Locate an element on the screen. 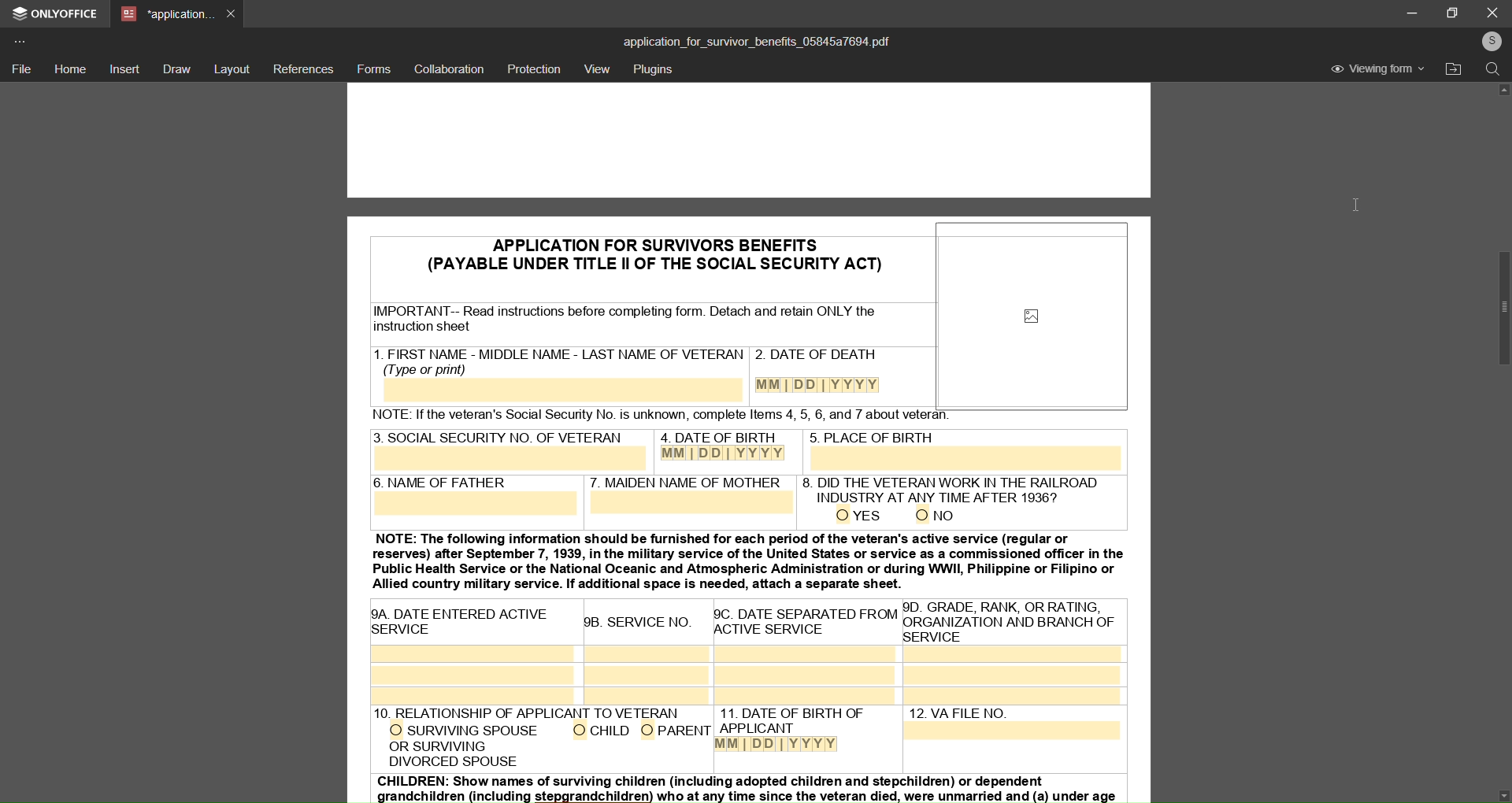 Image resolution: width=1512 pixels, height=803 pixels. protection is located at coordinates (535, 68).